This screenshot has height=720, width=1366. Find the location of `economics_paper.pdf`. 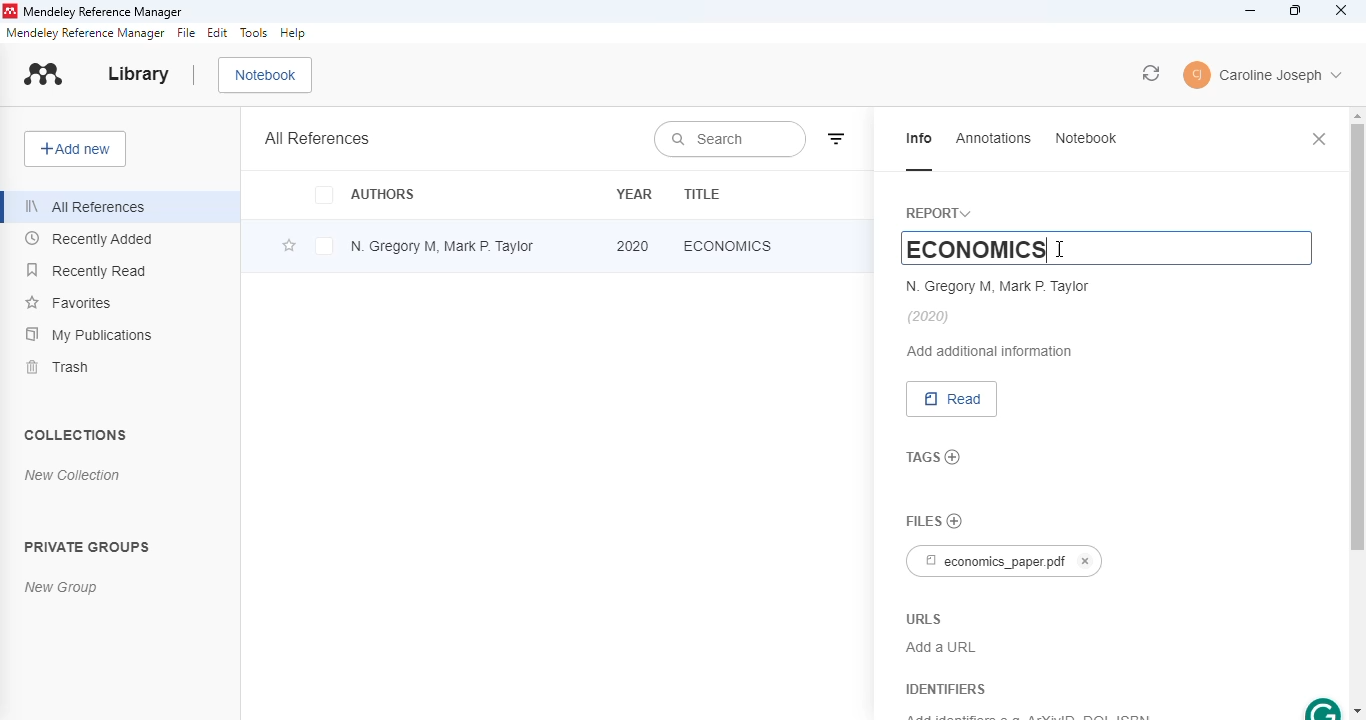

economics_paper.pdf is located at coordinates (989, 561).